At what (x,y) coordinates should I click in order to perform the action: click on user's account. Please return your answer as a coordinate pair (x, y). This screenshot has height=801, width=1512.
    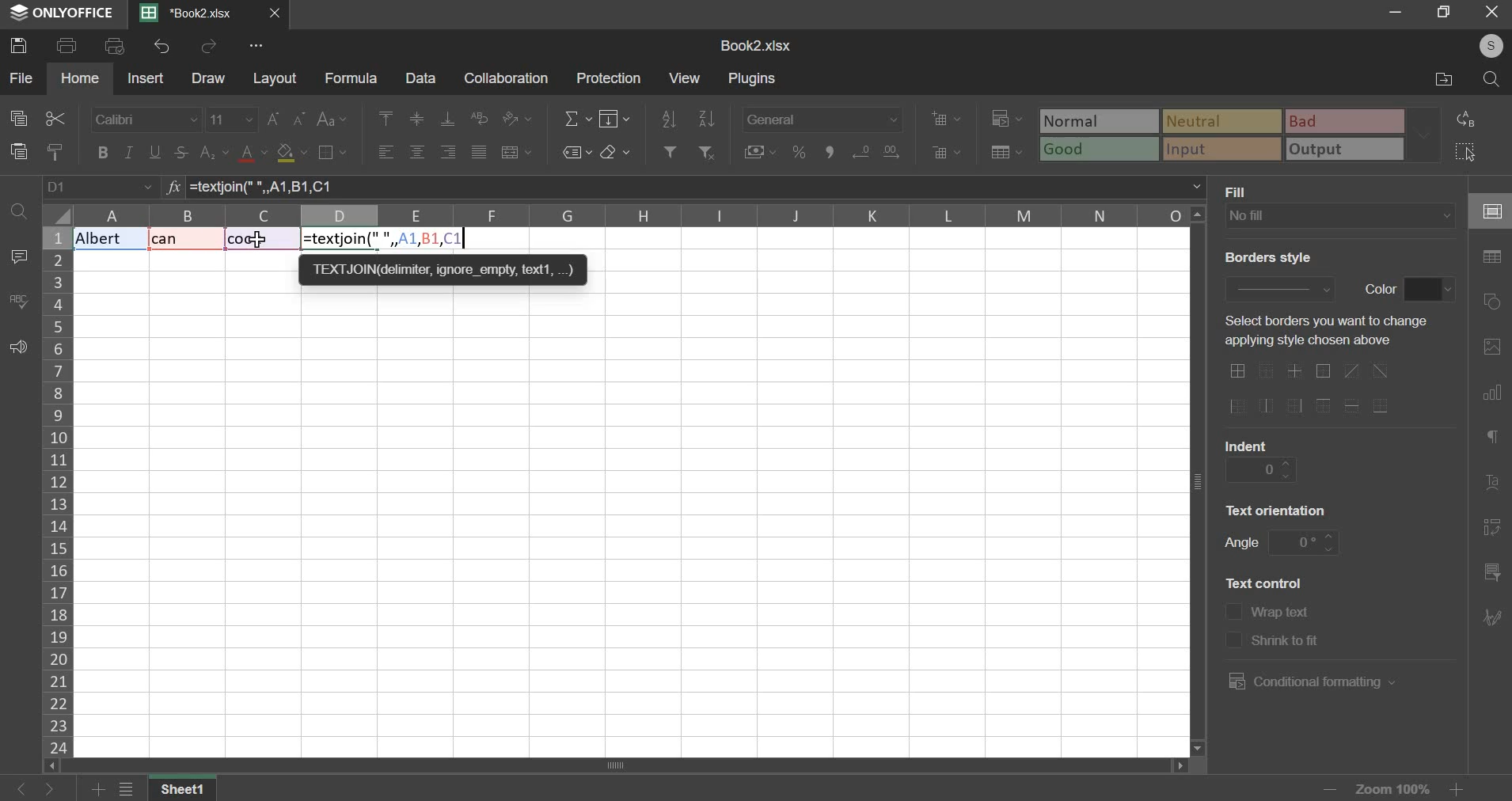
    Looking at the image, I should click on (1482, 44).